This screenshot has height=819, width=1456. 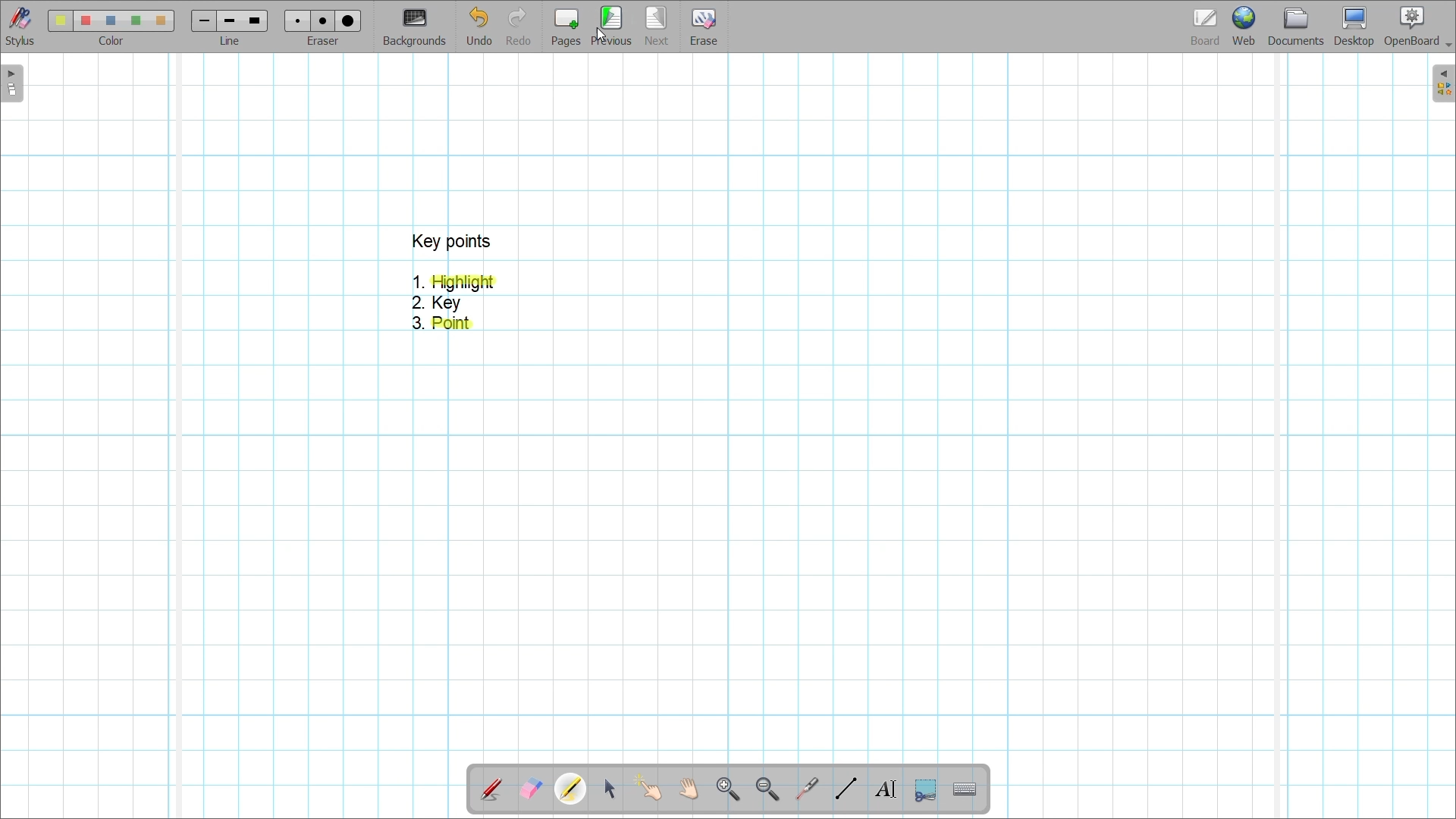 I want to click on Go to next page, so click(x=656, y=26).